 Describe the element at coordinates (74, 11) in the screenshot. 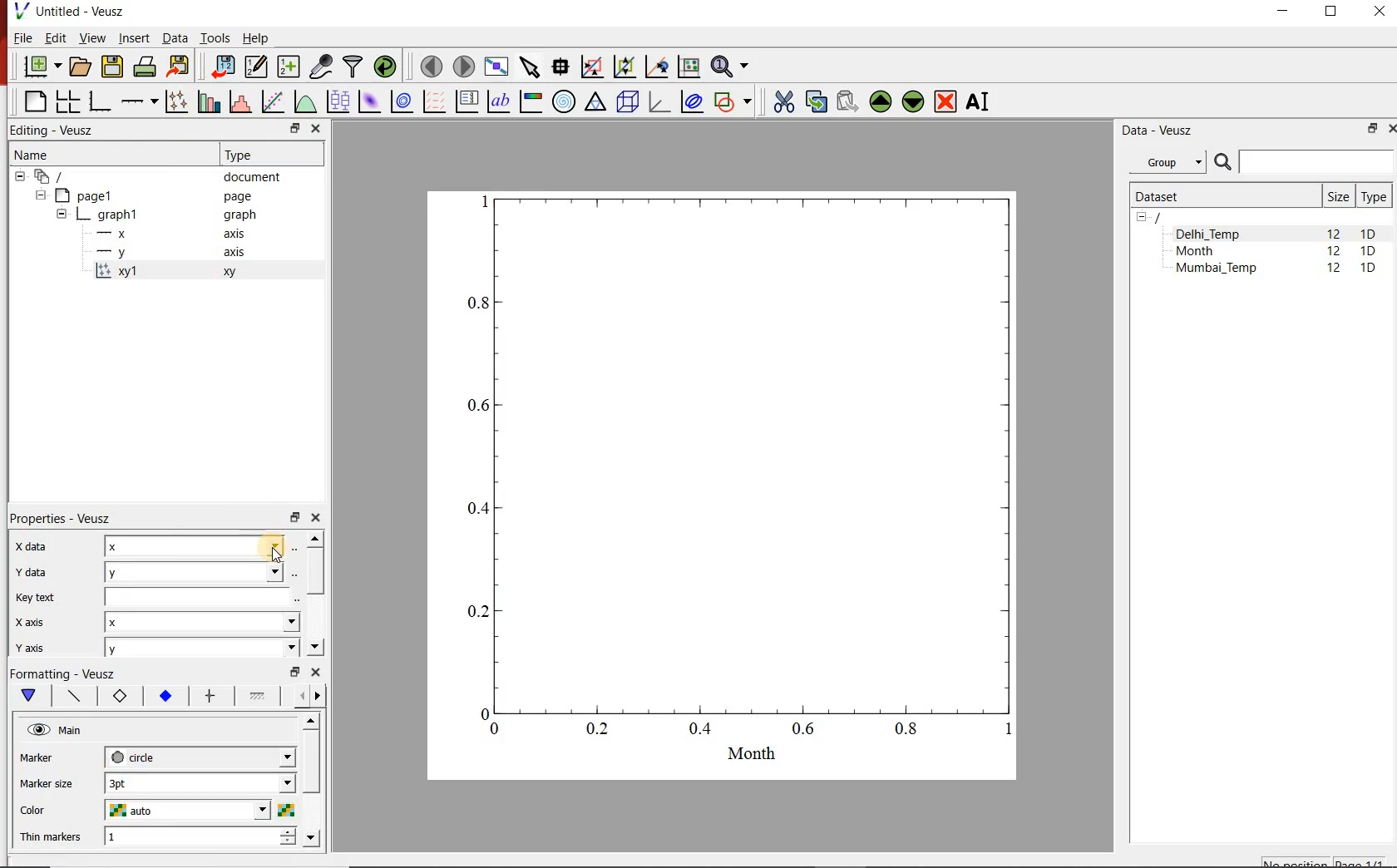

I see `Untitled-Veusz` at that location.